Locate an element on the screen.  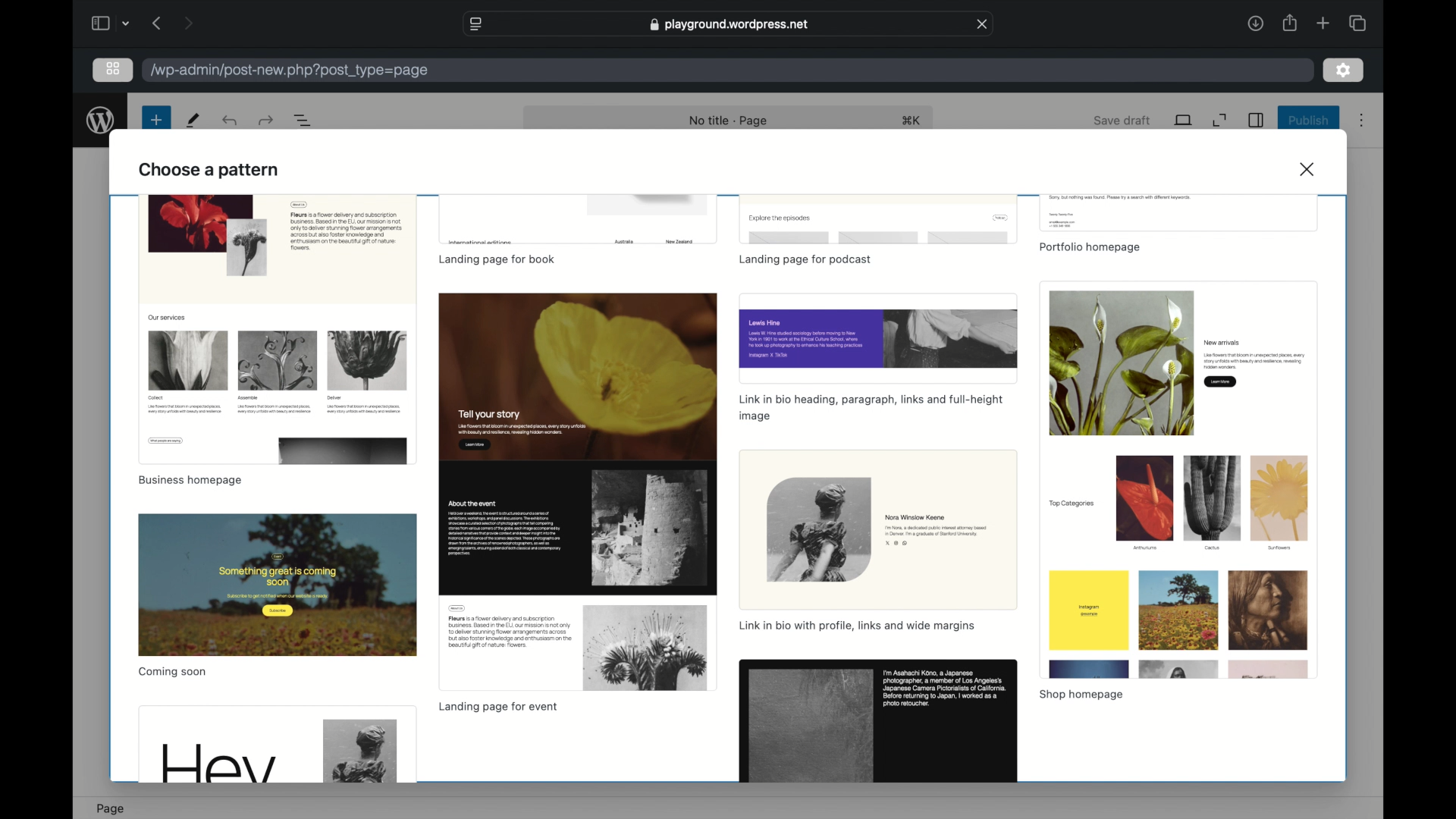
dropdown is located at coordinates (128, 23).